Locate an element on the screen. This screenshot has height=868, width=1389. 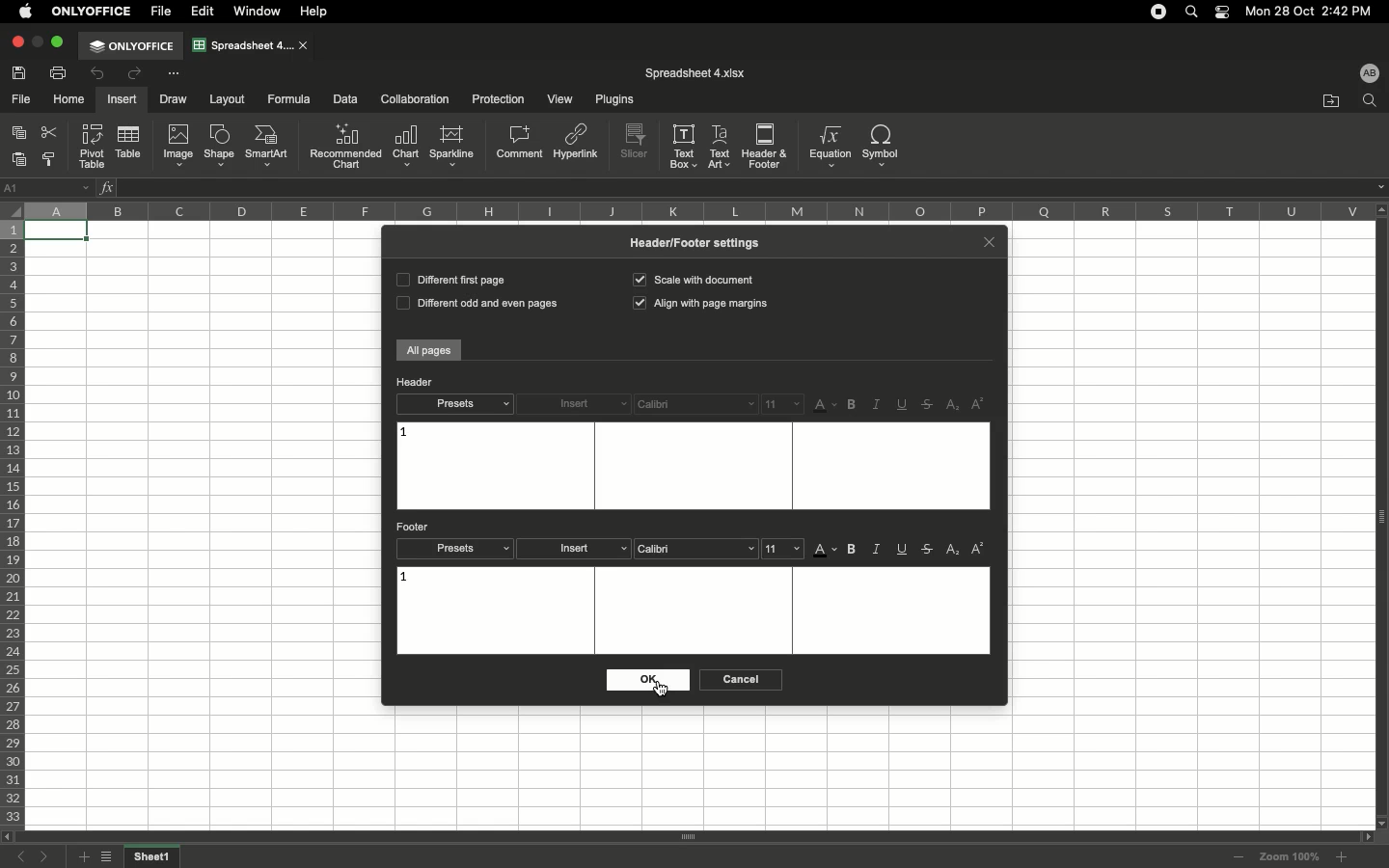
Collaboration is located at coordinates (416, 100).